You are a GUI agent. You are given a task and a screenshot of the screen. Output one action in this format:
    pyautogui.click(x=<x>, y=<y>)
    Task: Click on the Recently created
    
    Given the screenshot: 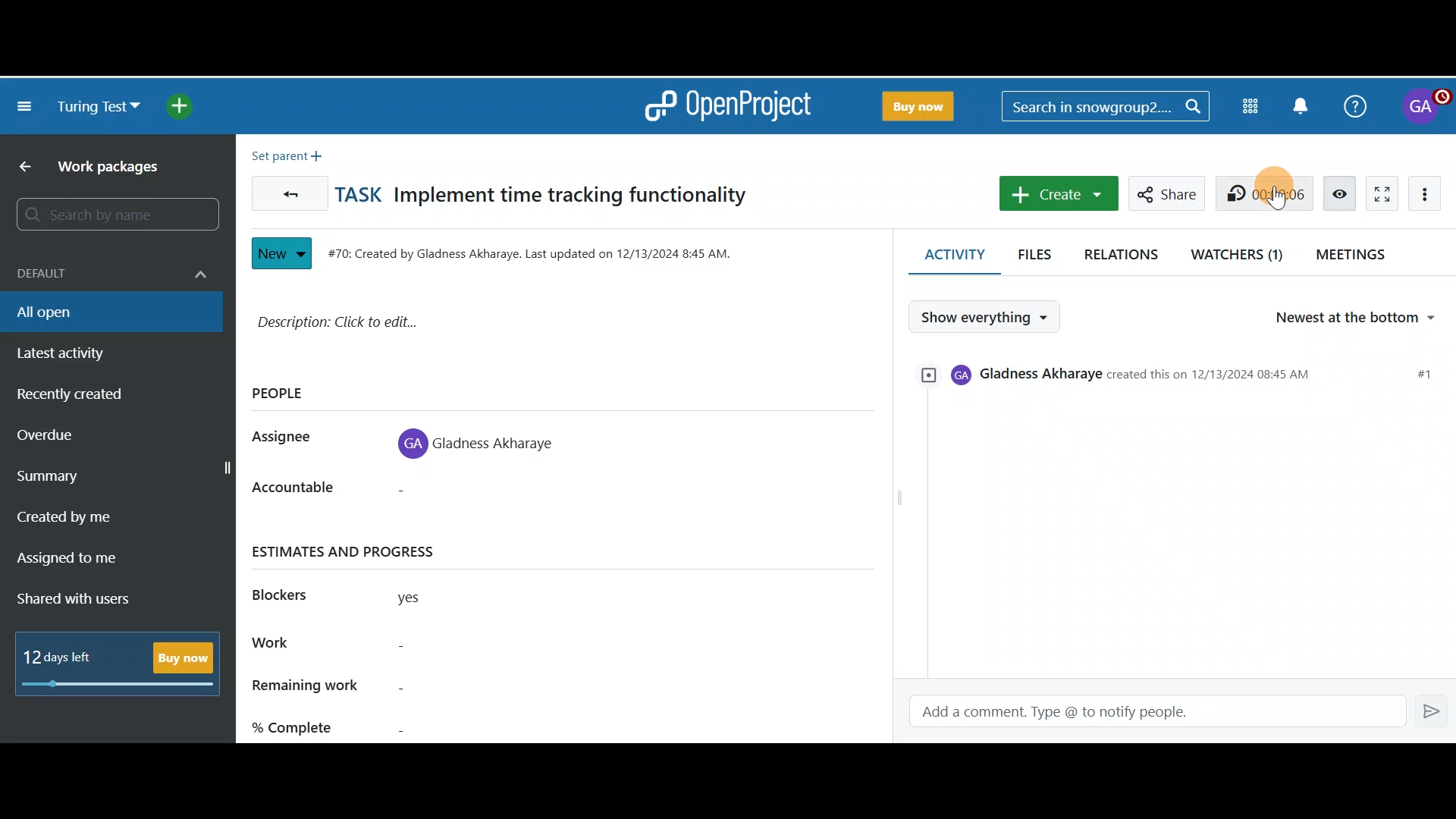 What is the action you would take?
    pyautogui.click(x=101, y=398)
    